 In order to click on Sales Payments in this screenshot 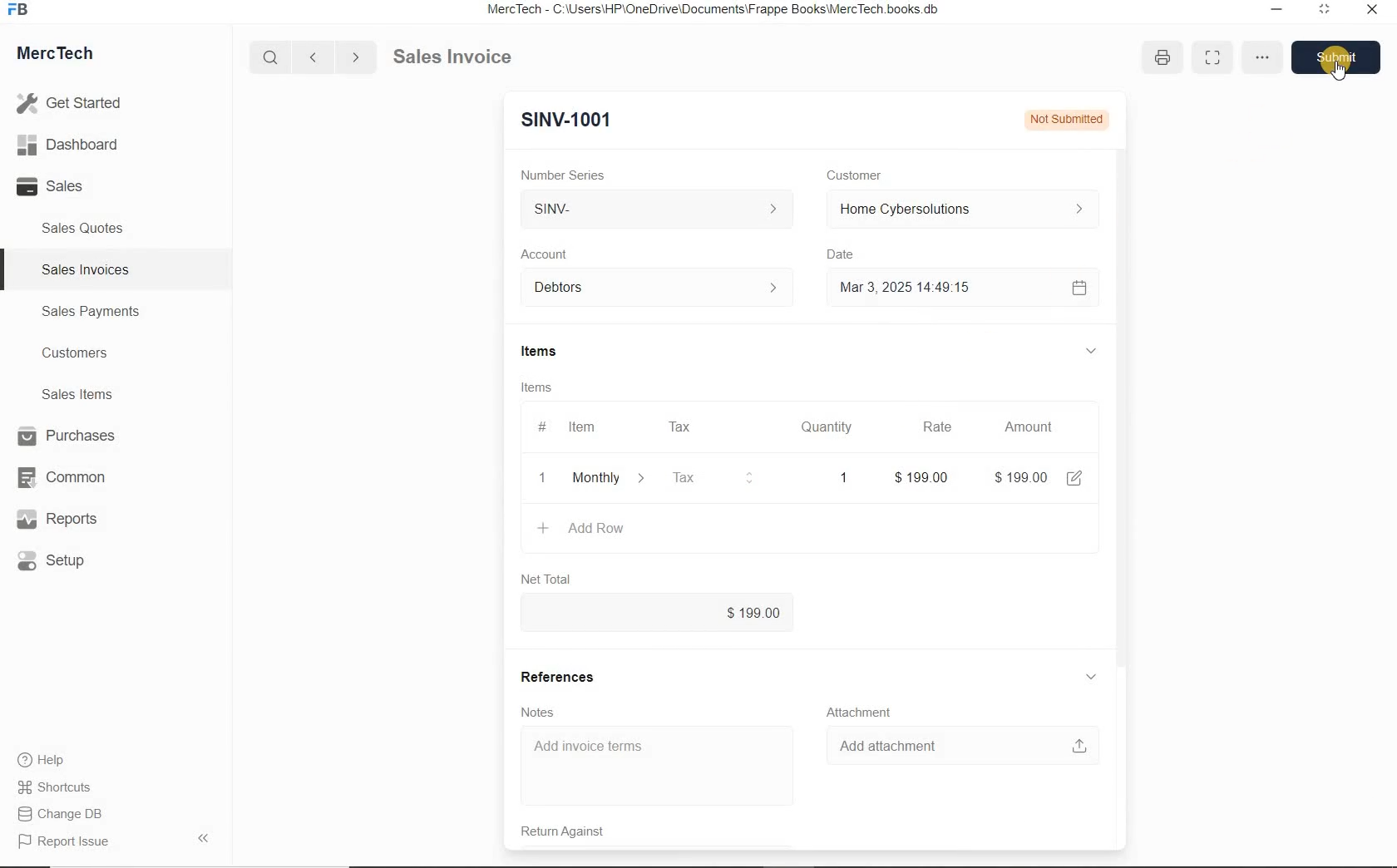, I will do `click(88, 312)`.